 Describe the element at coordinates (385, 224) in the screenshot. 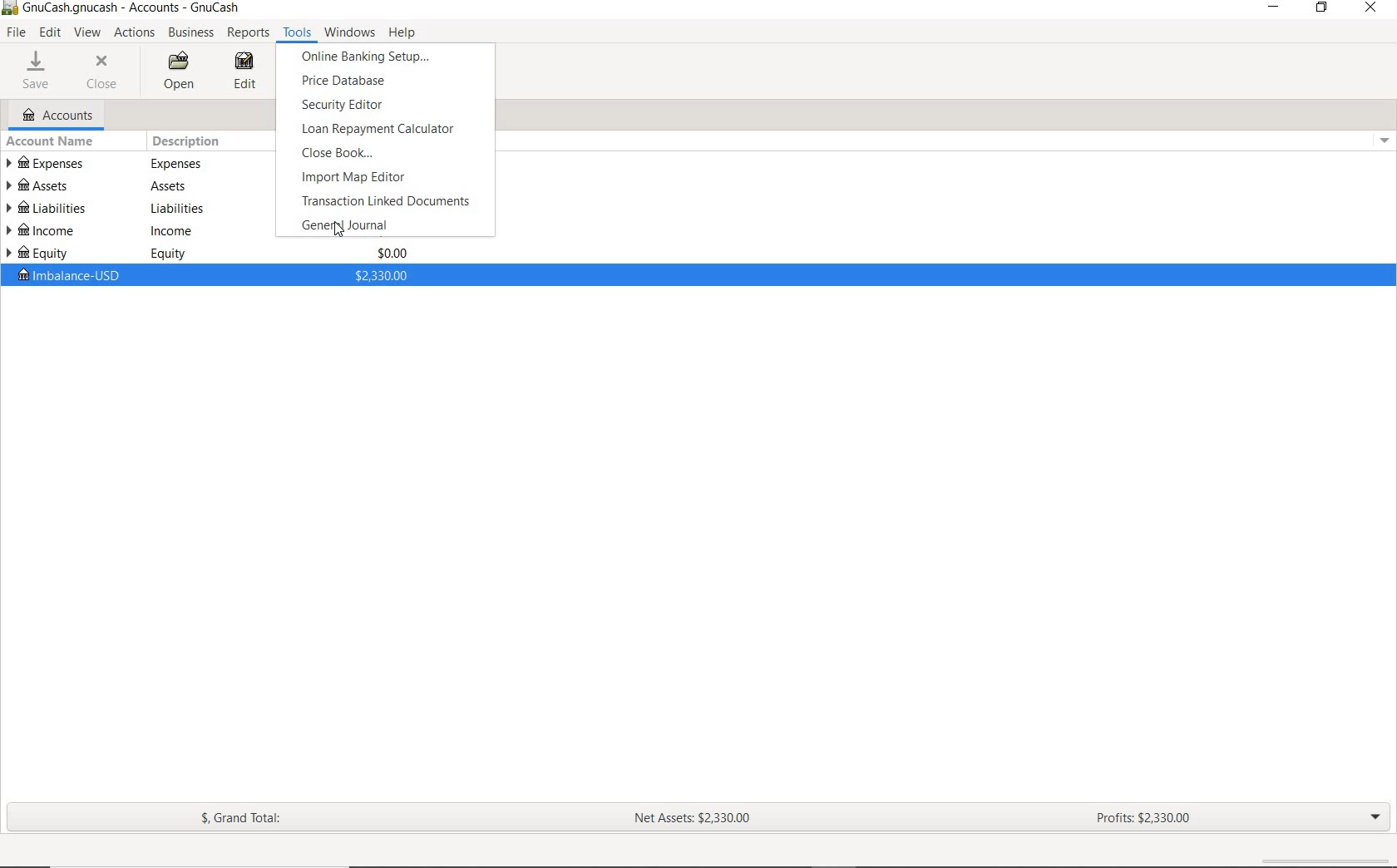

I see `GENERAL JOURNAL` at that location.